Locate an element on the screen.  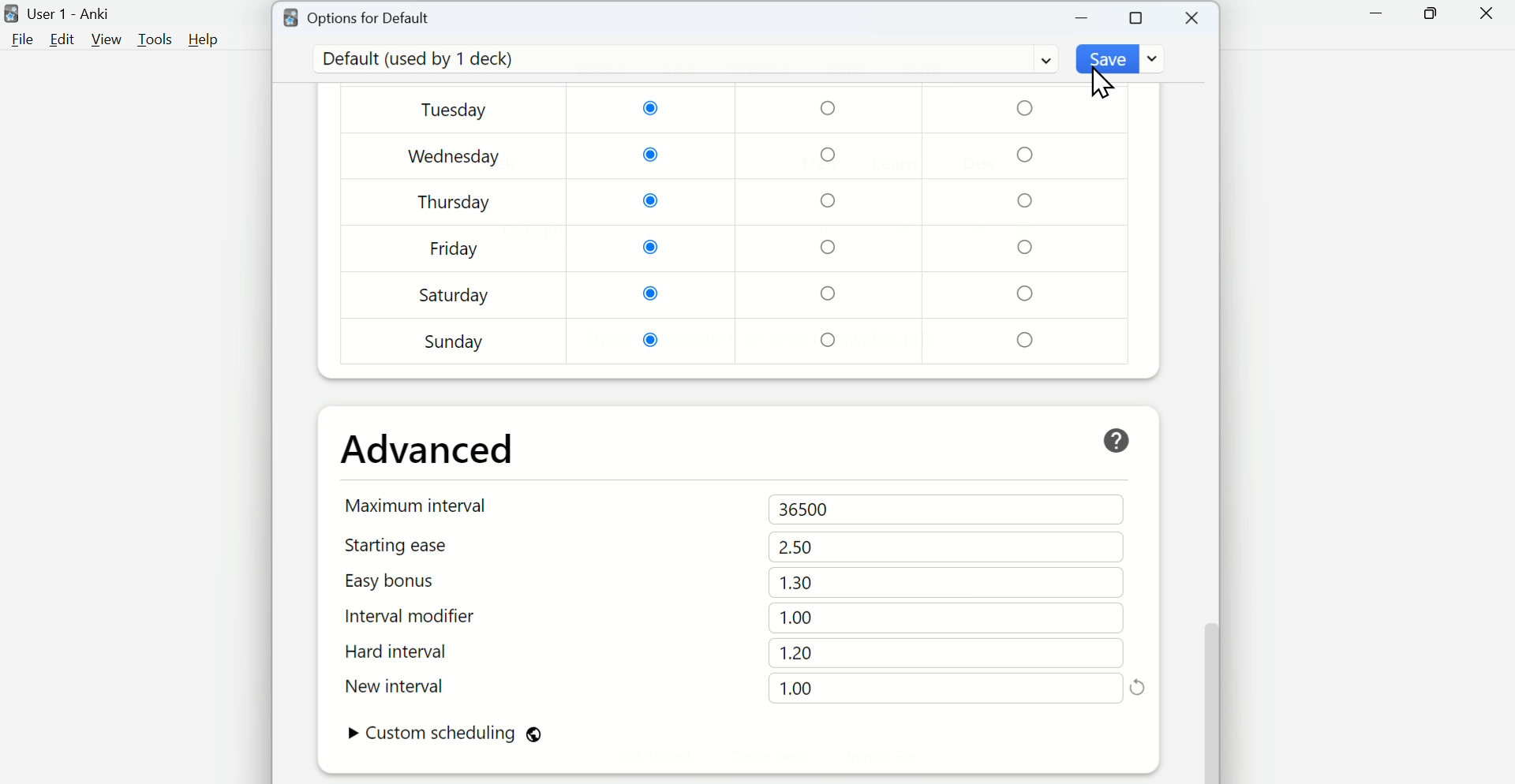
Custom scheduling is located at coordinates (444, 735).